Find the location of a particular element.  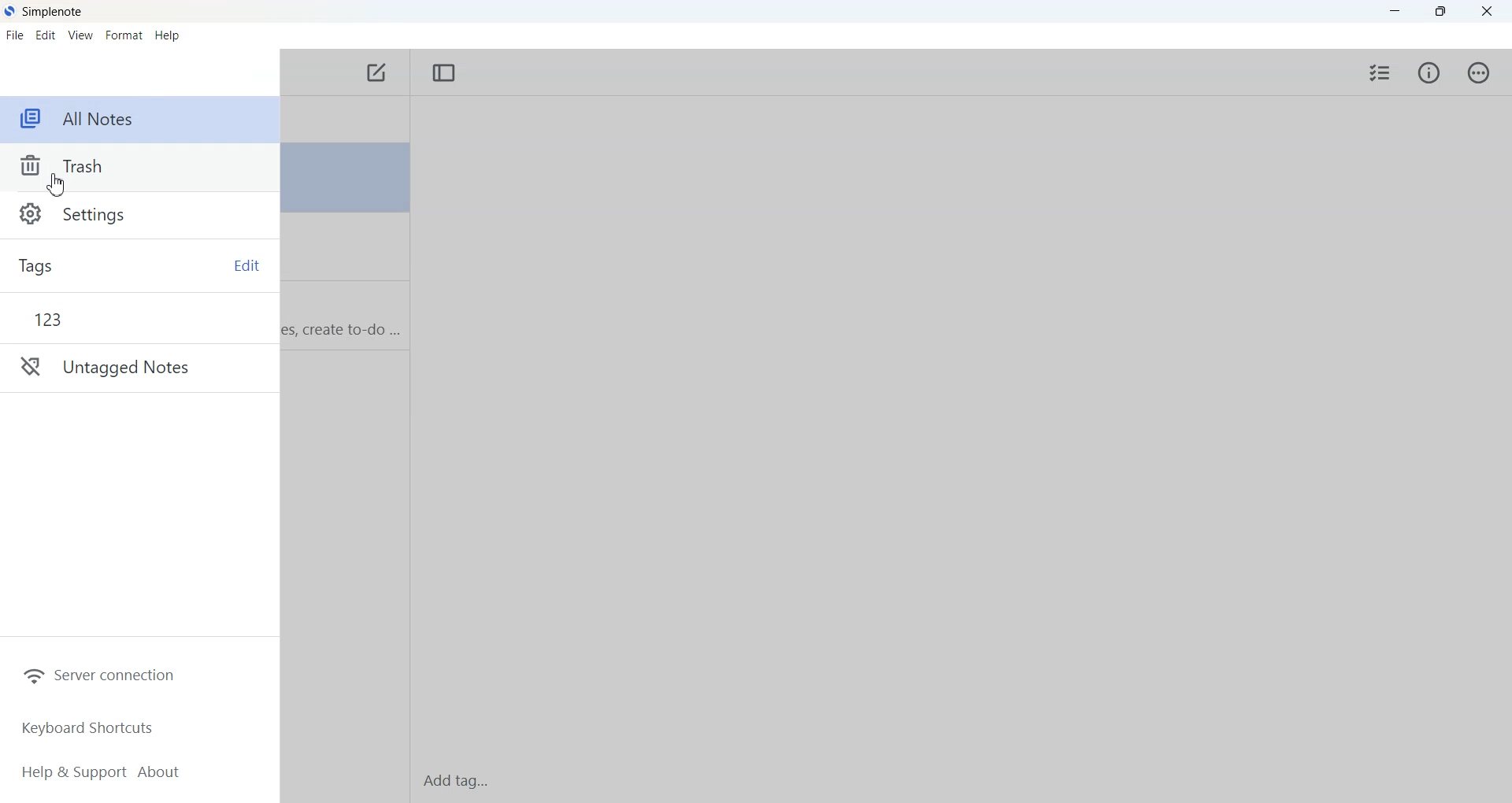

New Note is located at coordinates (377, 75).